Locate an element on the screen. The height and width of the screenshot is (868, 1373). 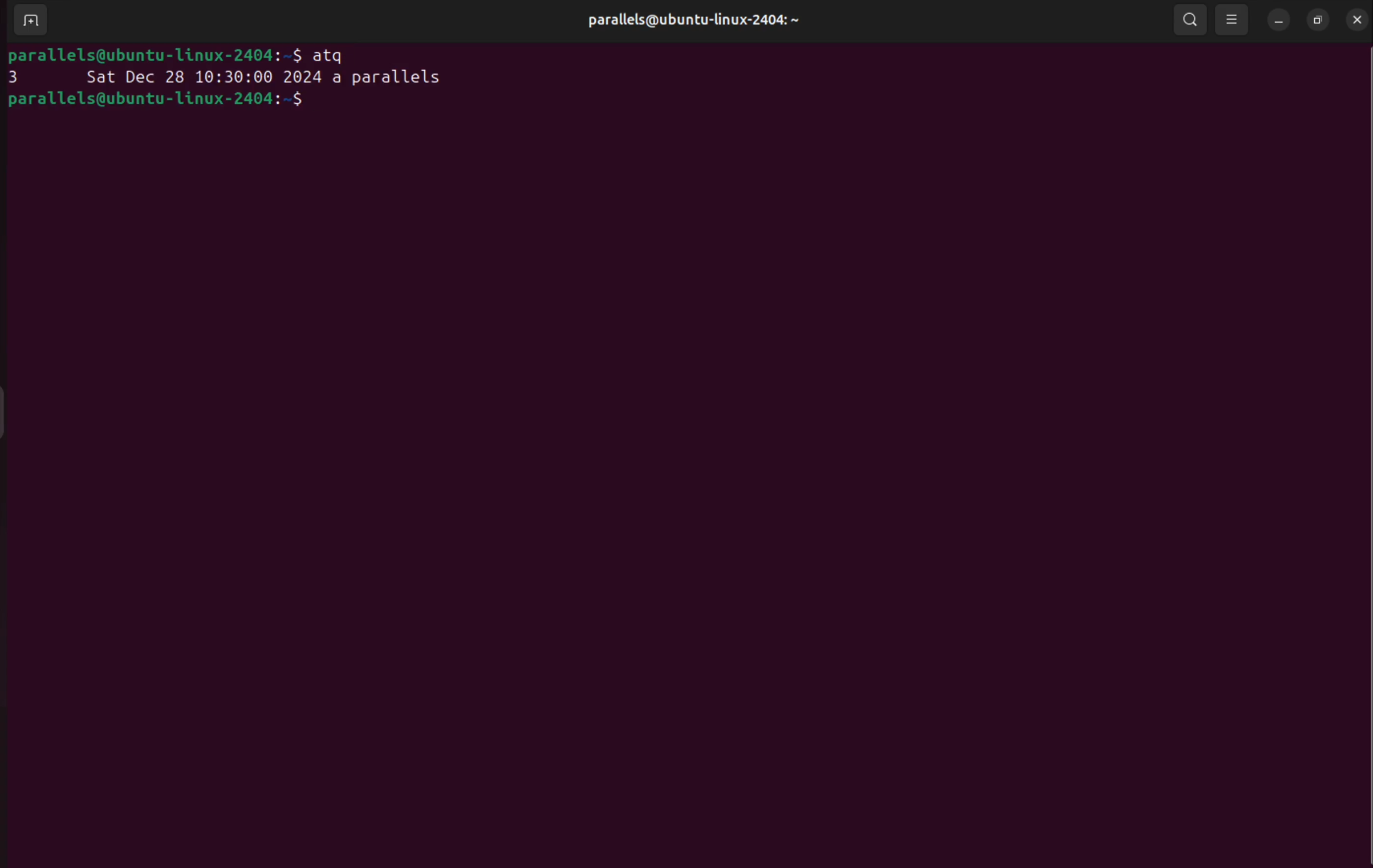
view options is located at coordinates (1233, 21).